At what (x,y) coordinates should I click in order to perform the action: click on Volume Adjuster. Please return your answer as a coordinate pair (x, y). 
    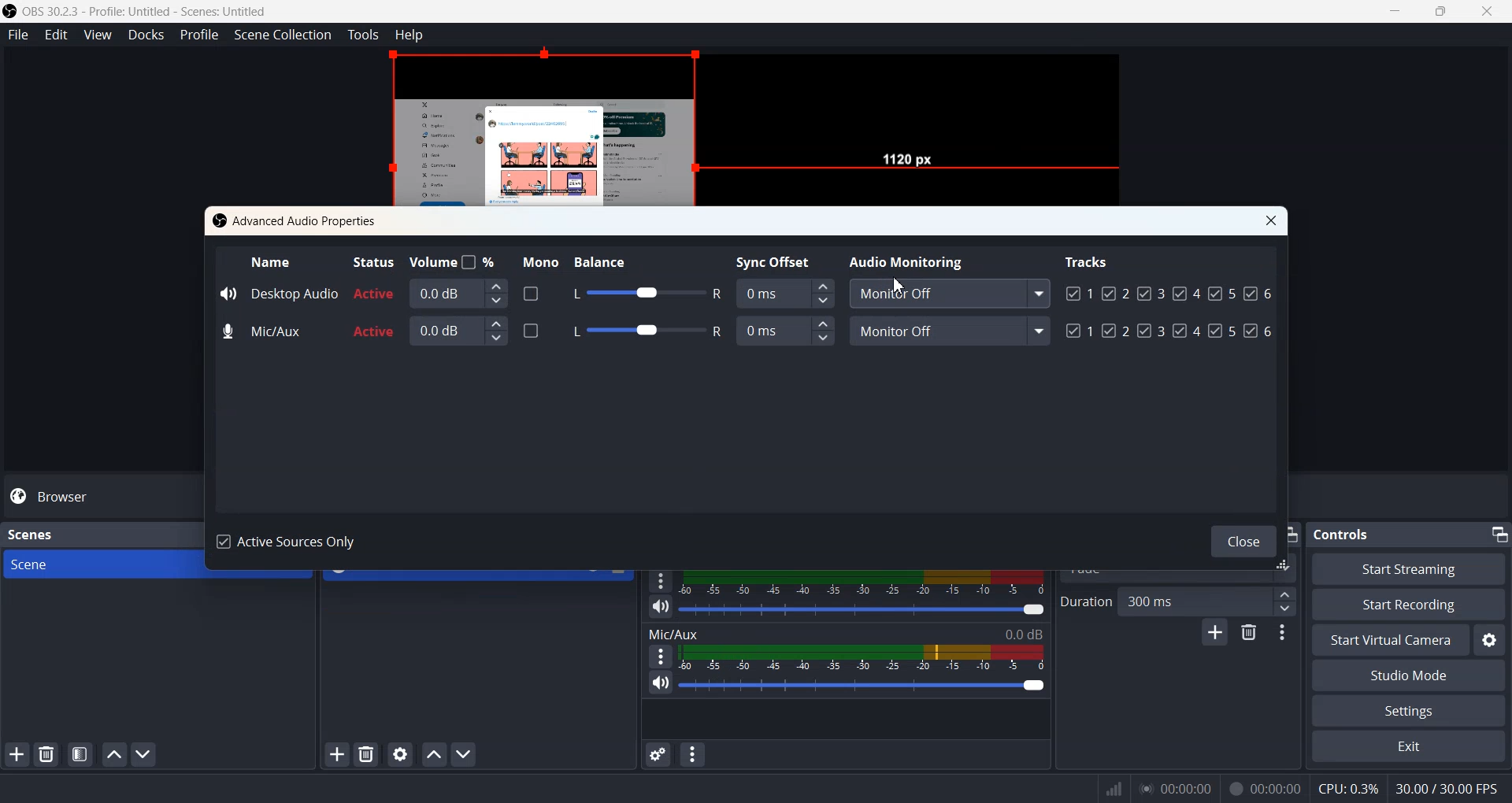
    Looking at the image, I should click on (862, 685).